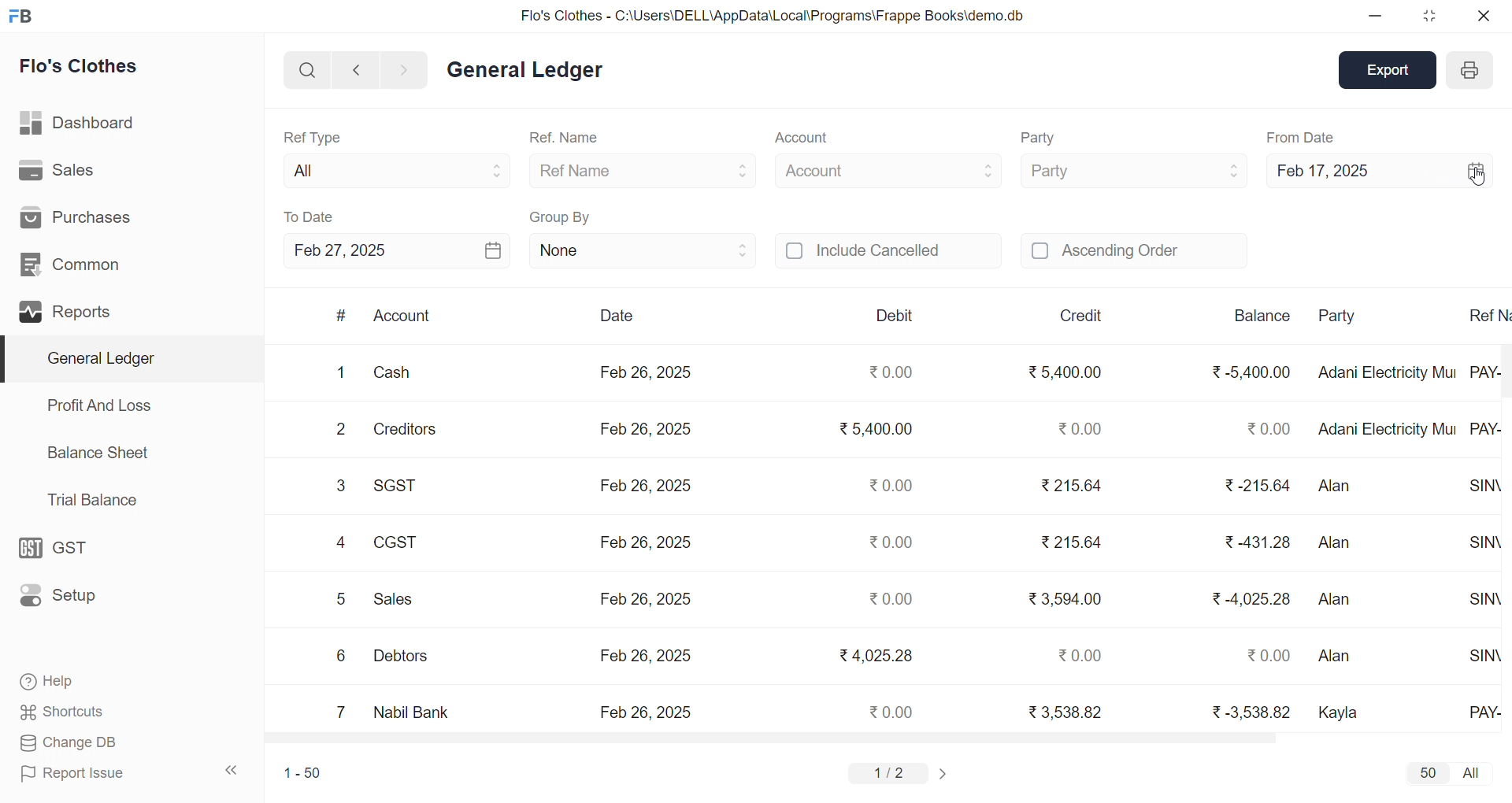 The width and height of the screenshot is (1512, 803). What do you see at coordinates (340, 542) in the screenshot?
I see `4` at bounding box center [340, 542].